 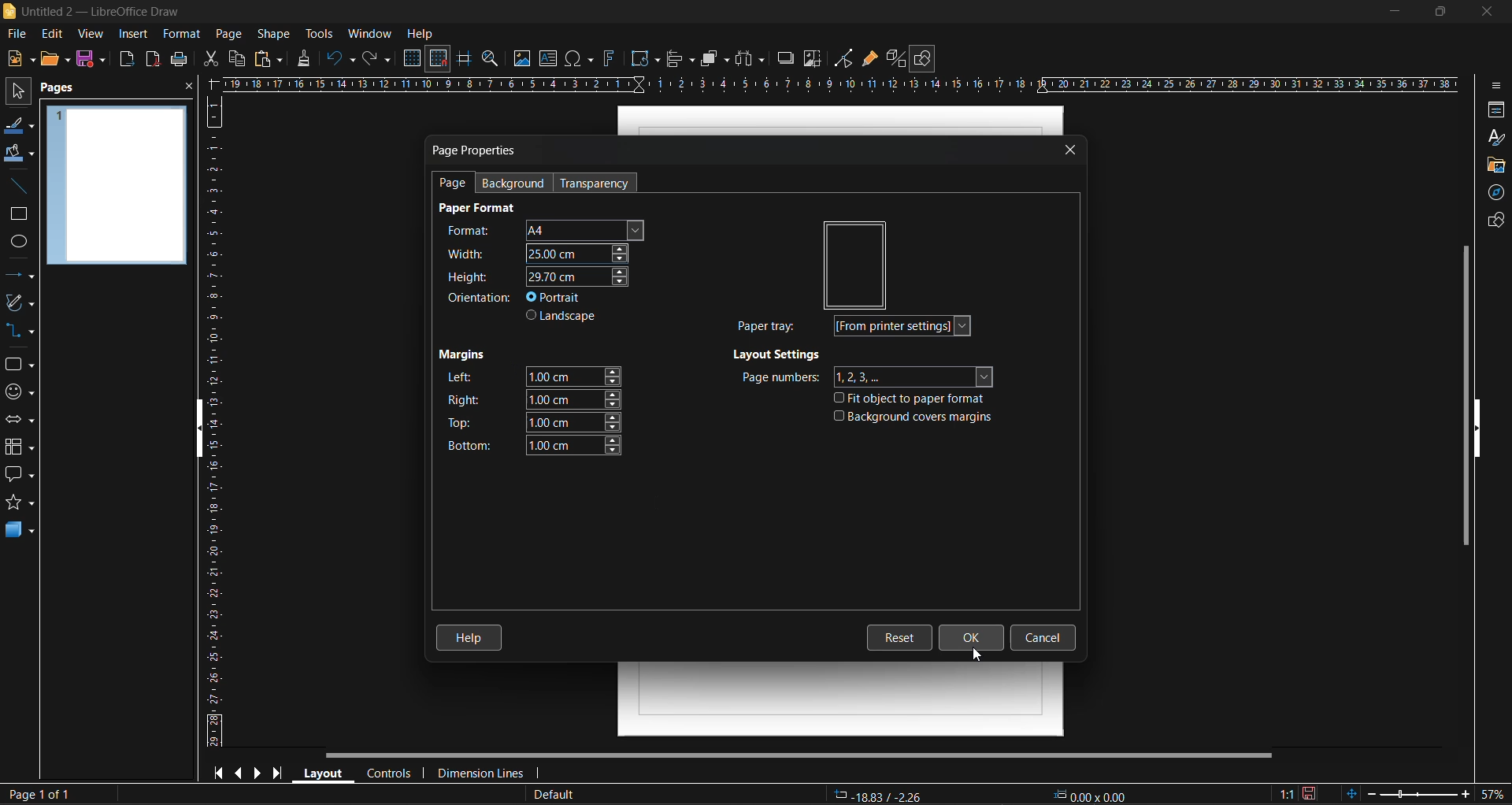 I want to click on preview, so click(x=857, y=263).